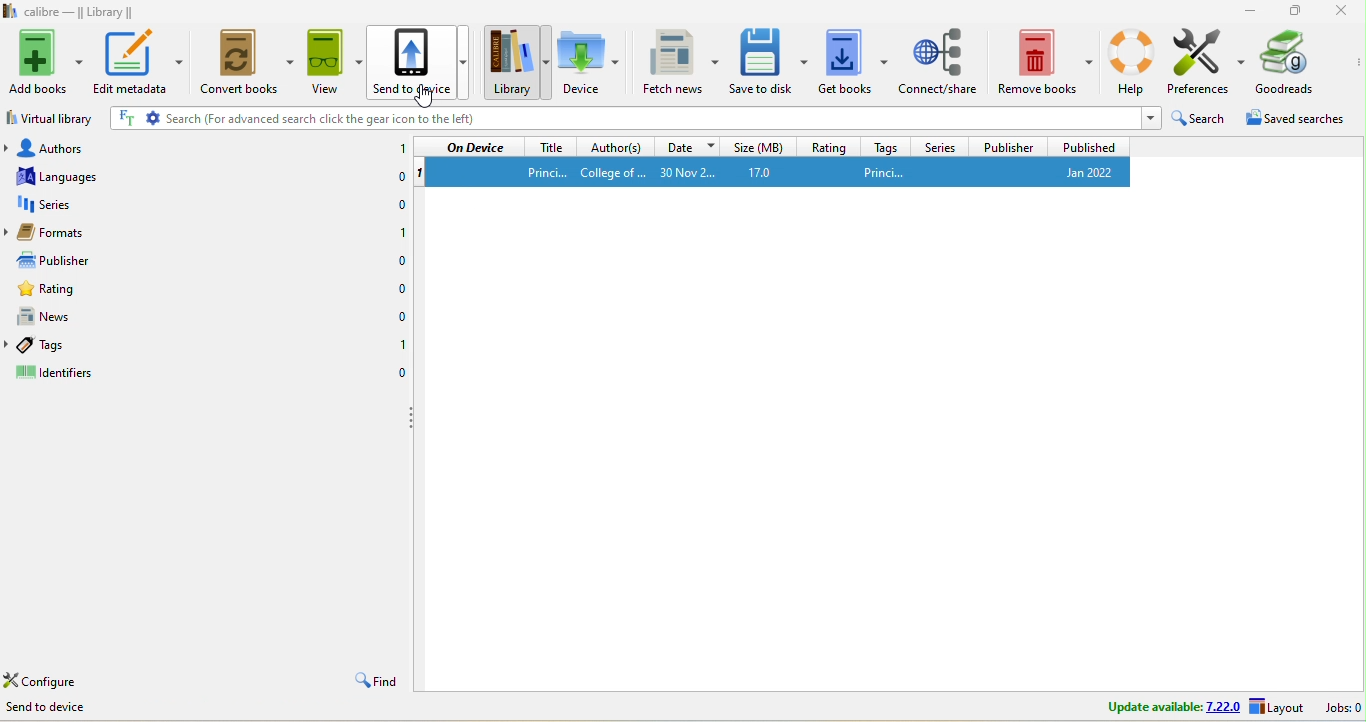  I want to click on virtual library, so click(48, 118).